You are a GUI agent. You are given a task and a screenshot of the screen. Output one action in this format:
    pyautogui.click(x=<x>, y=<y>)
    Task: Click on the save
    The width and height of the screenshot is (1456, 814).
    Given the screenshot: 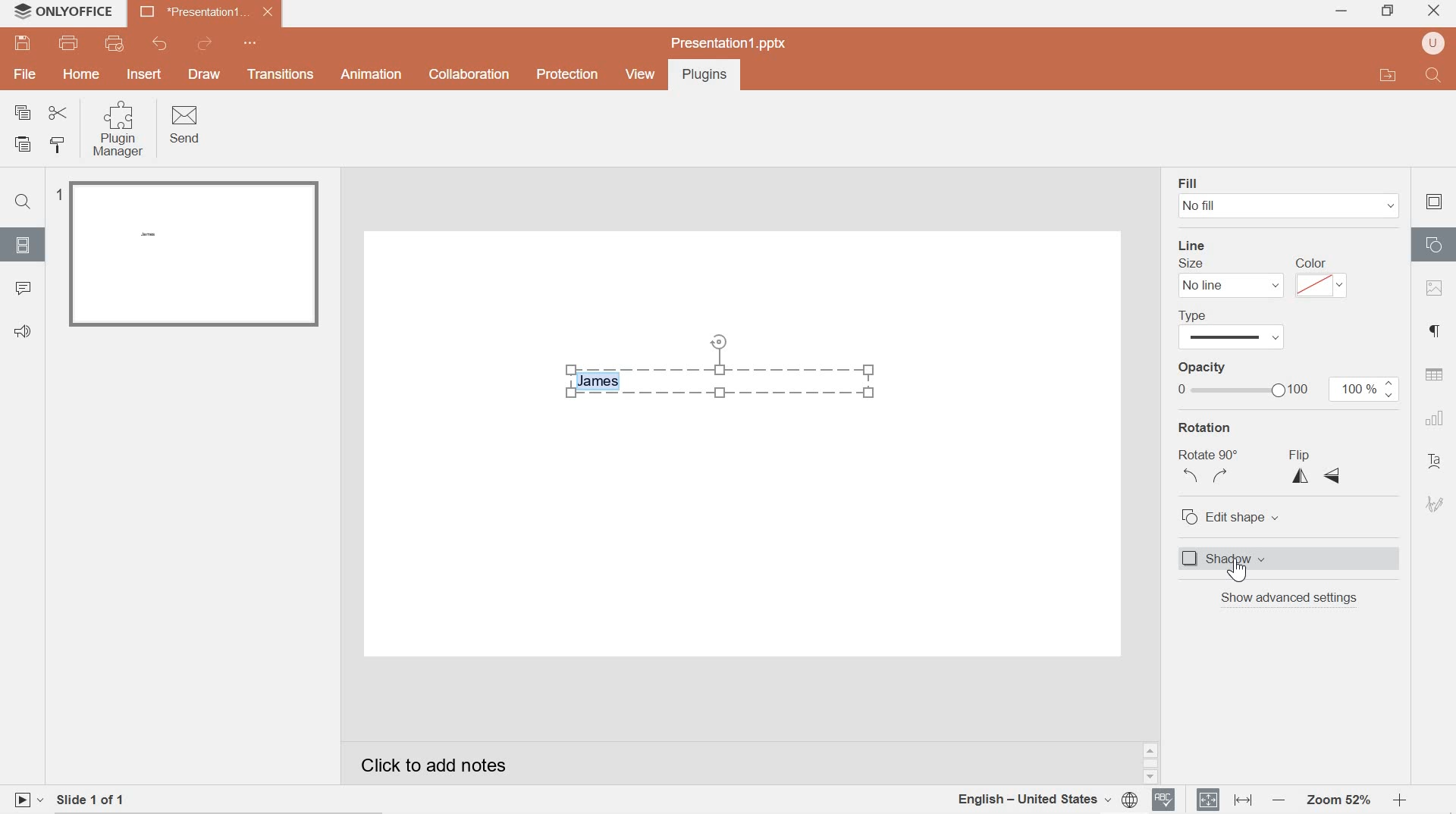 What is the action you would take?
    pyautogui.click(x=24, y=43)
    